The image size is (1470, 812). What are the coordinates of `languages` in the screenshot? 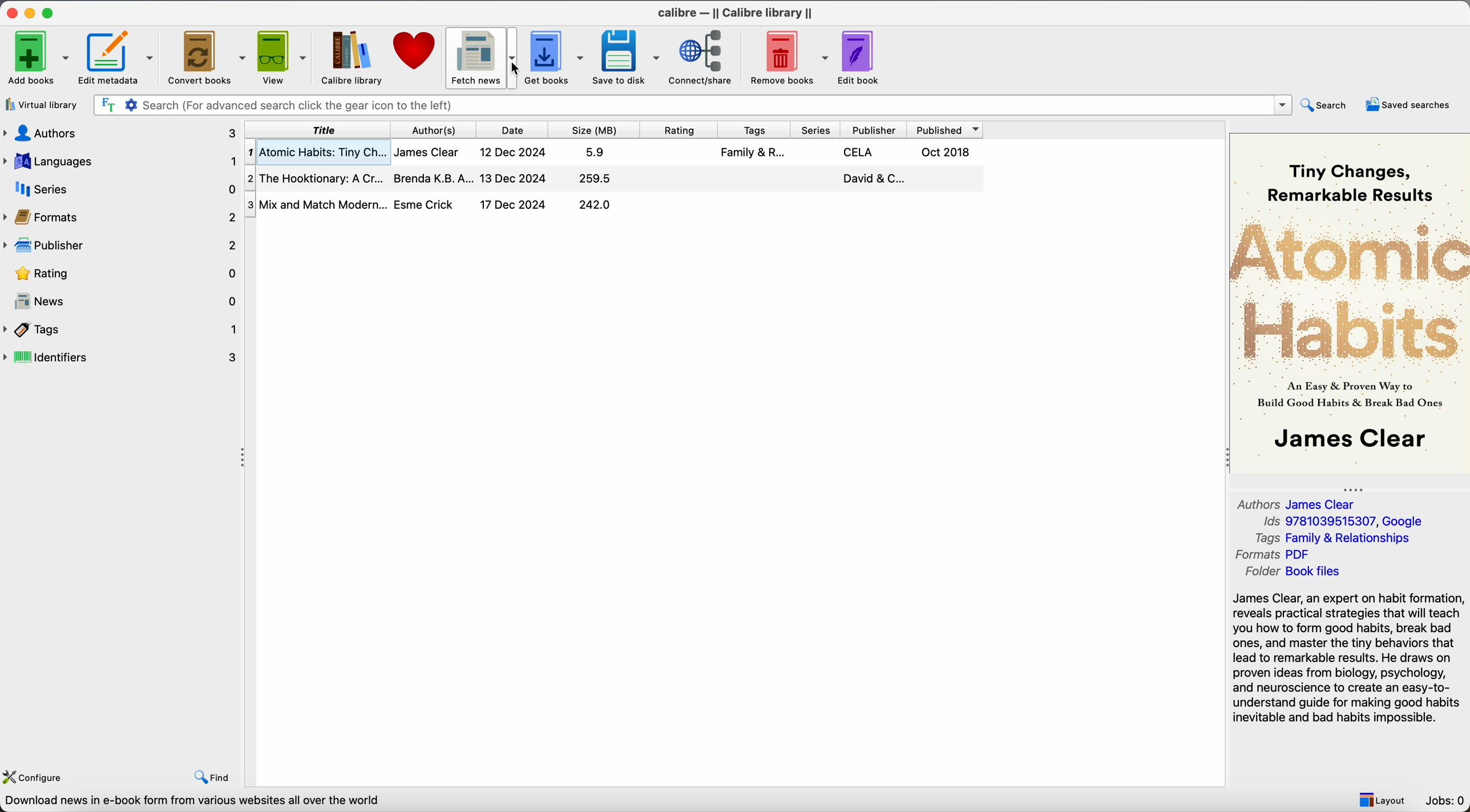 It's located at (122, 161).